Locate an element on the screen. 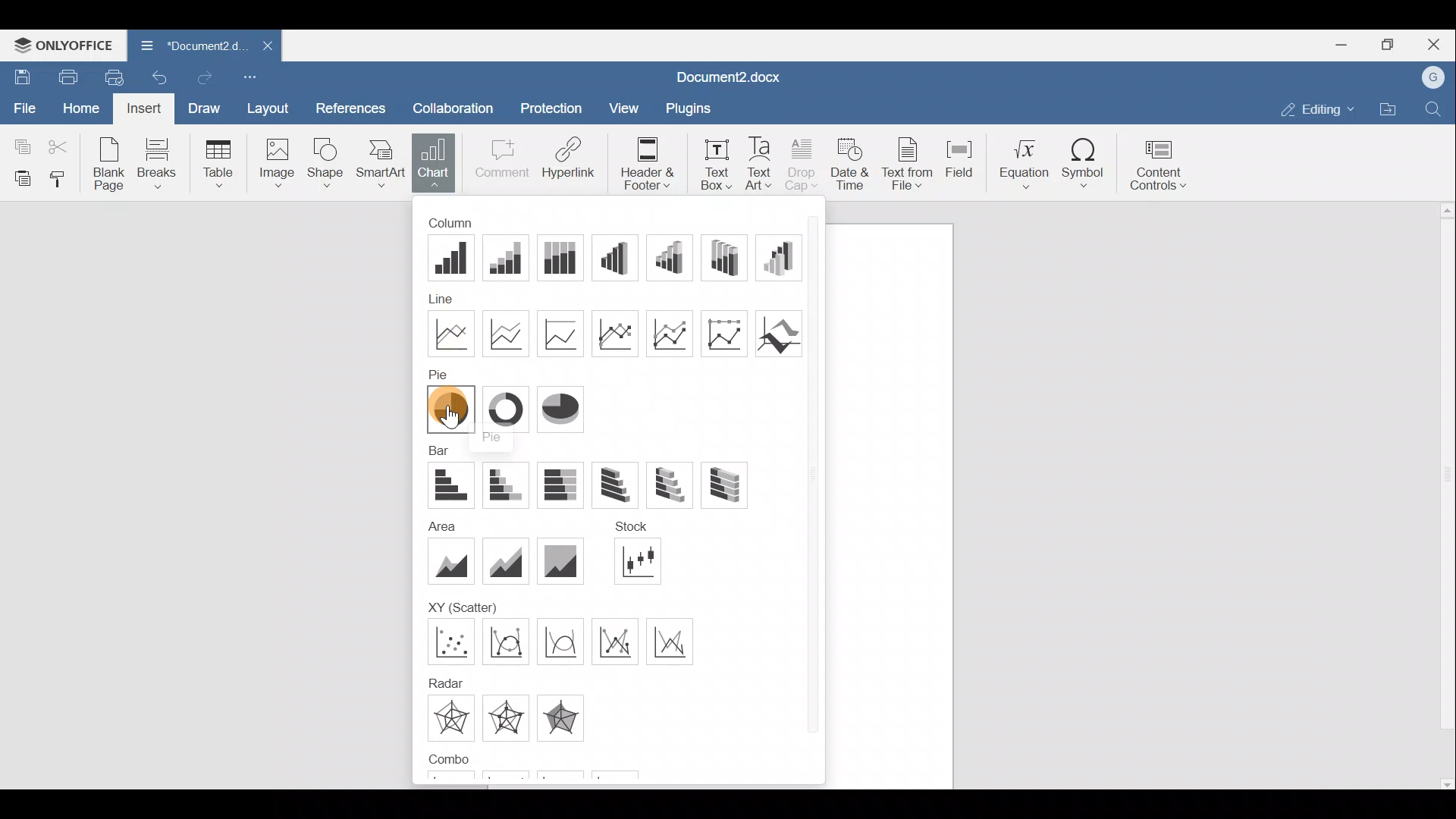  Minimize is located at coordinates (1347, 43).